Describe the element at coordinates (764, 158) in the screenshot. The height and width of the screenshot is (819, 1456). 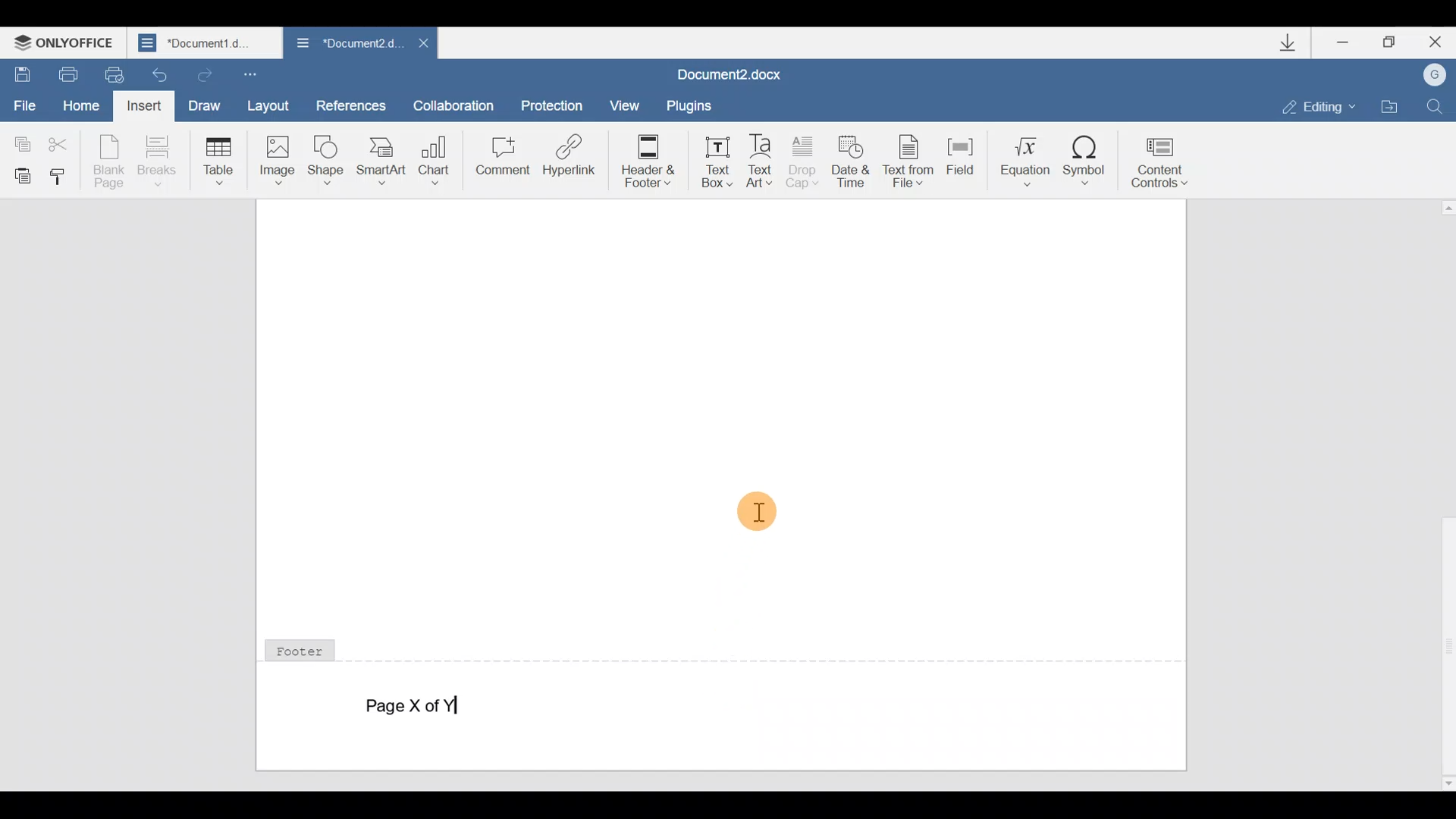
I see `Text Art` at that location.